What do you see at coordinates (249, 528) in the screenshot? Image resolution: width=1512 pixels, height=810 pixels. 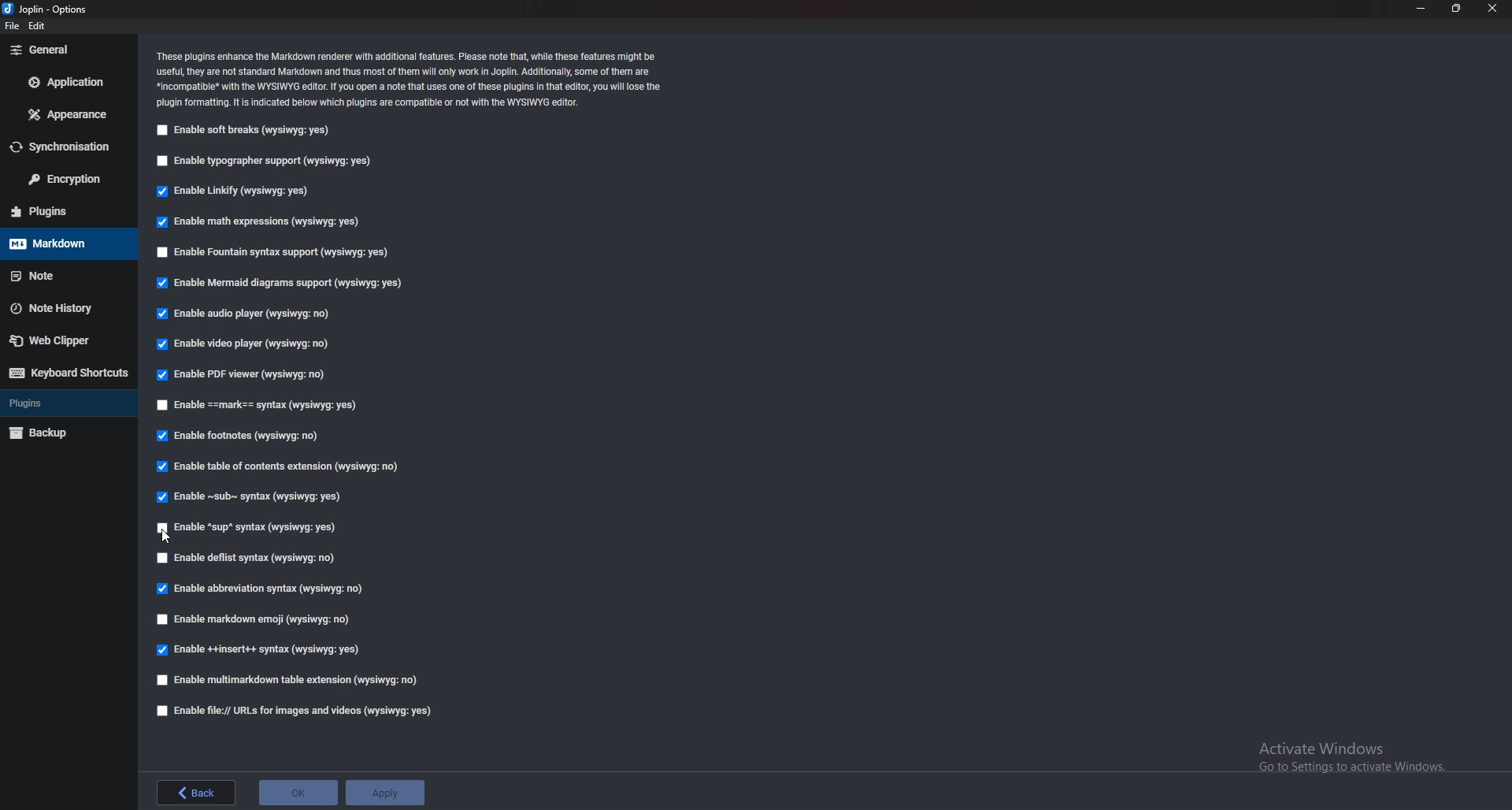 I see `Cursor Enable sup syntax` at bounding box center [249, 528].